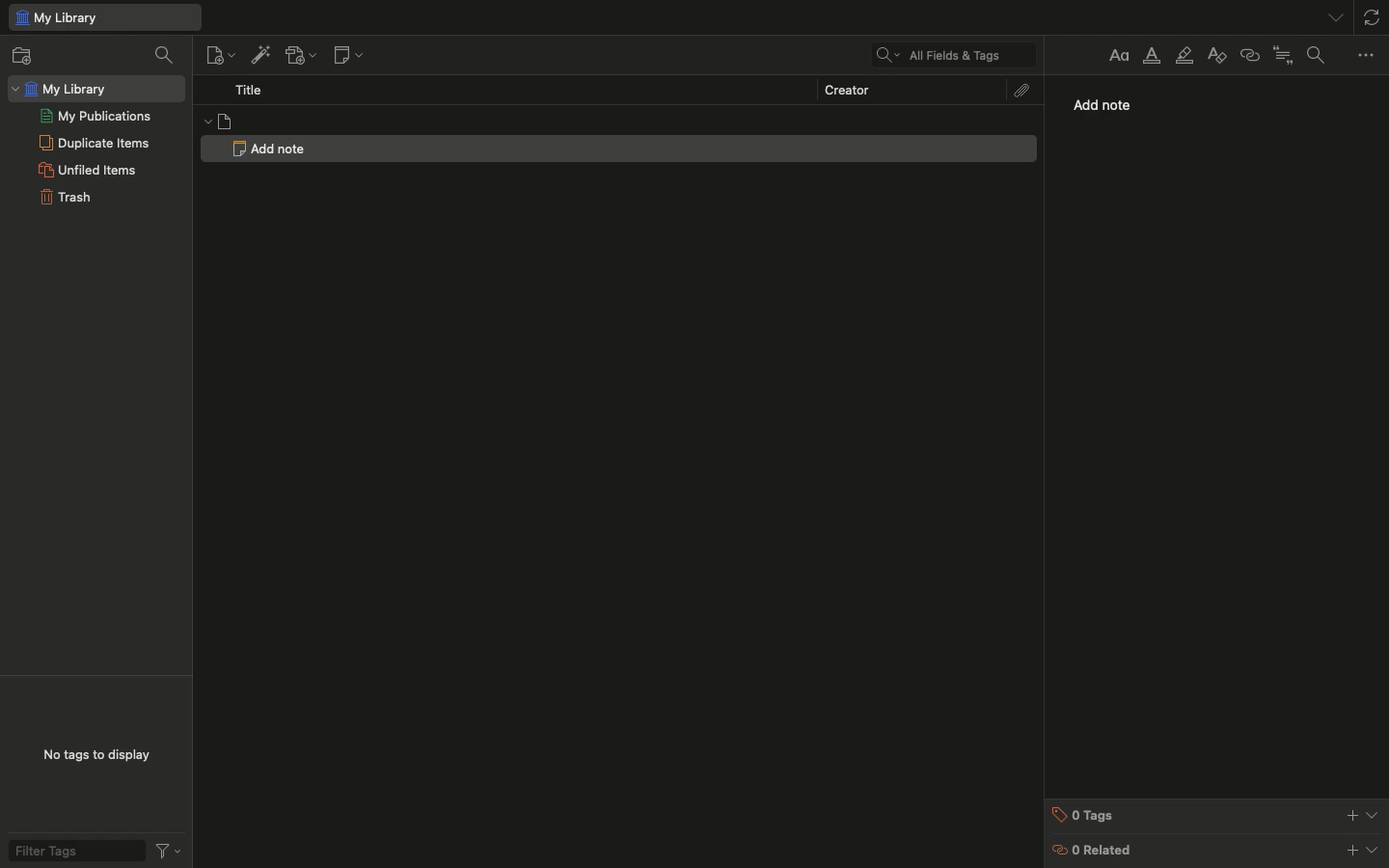 This screenshot has height=868, width=1389. I want to click on Format text, so click(1116, 55).